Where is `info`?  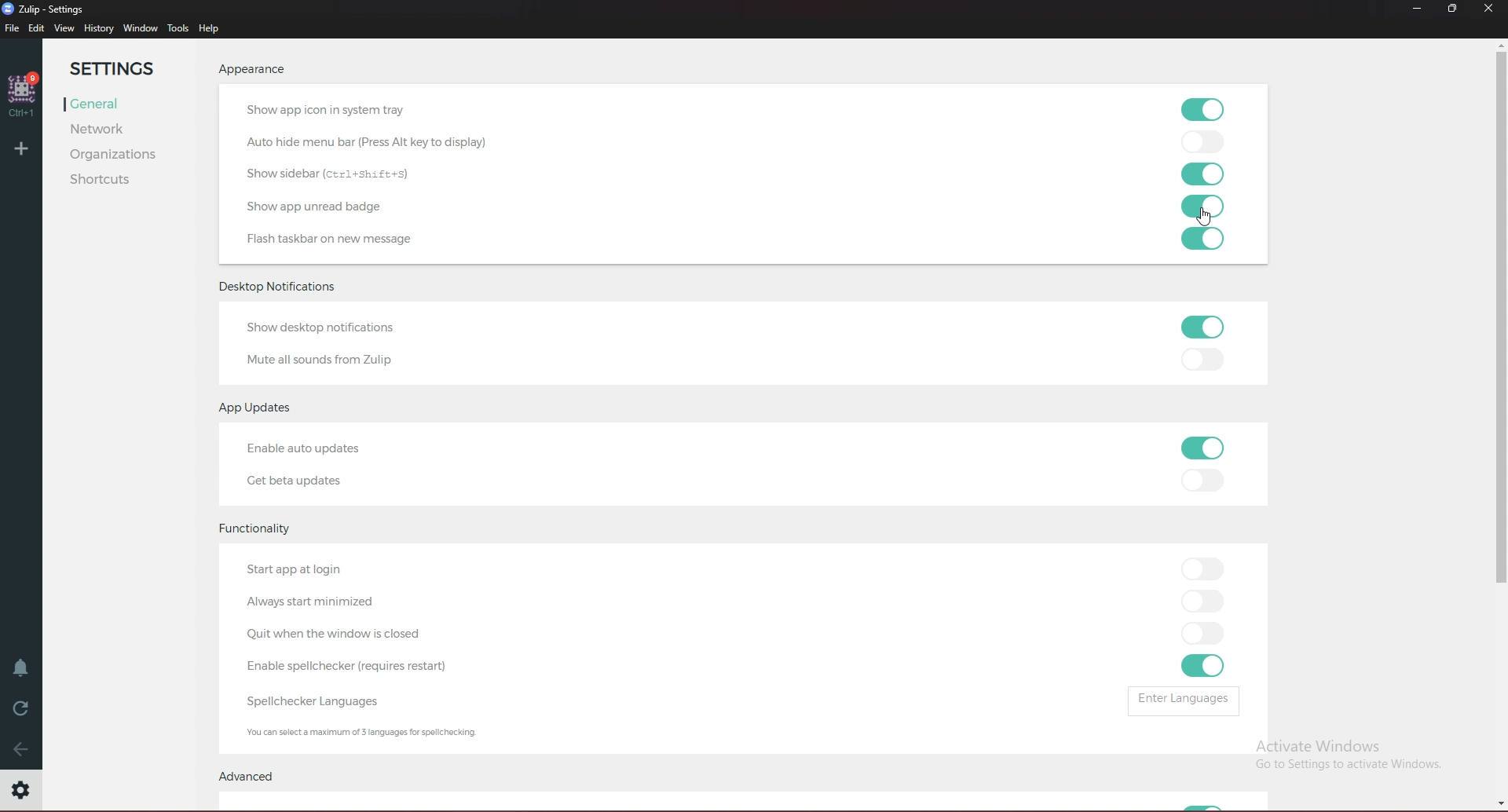 info is located at coordinates (366, 731).